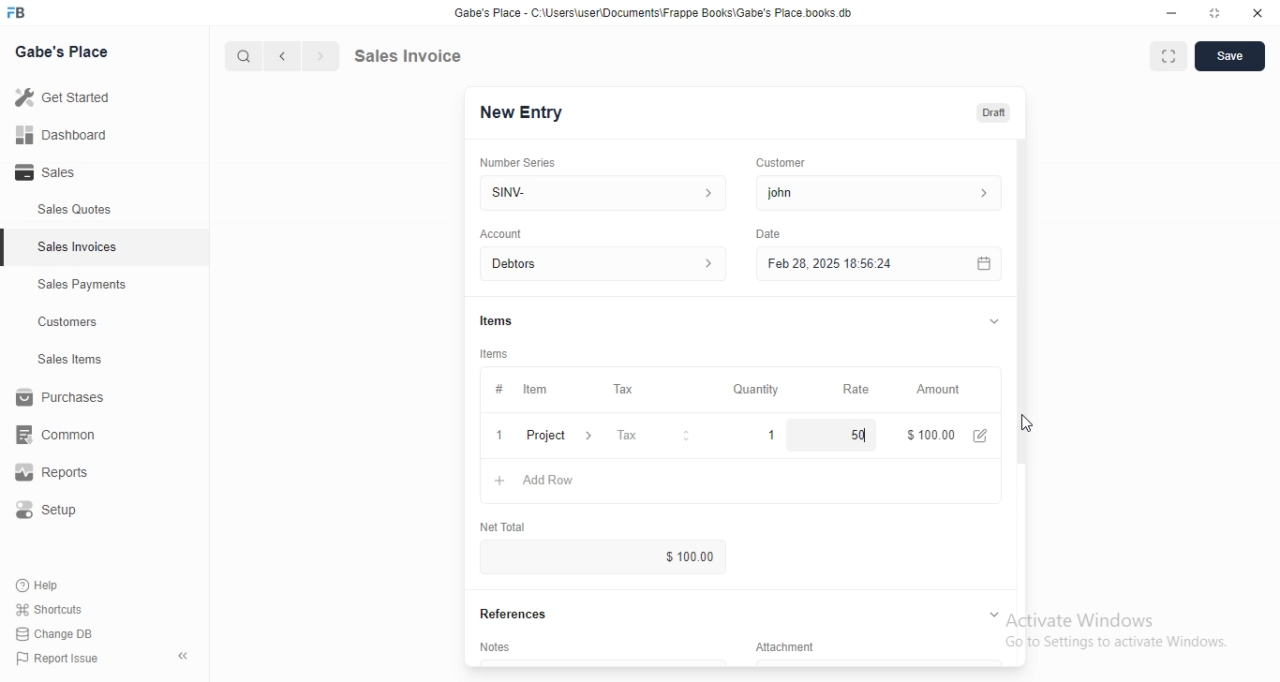 This screenshot has width=1280, height=682. What do you see at coordinates (64, 175) in the screenshot?
I see `- Sales` at bounding box center [64, 175].